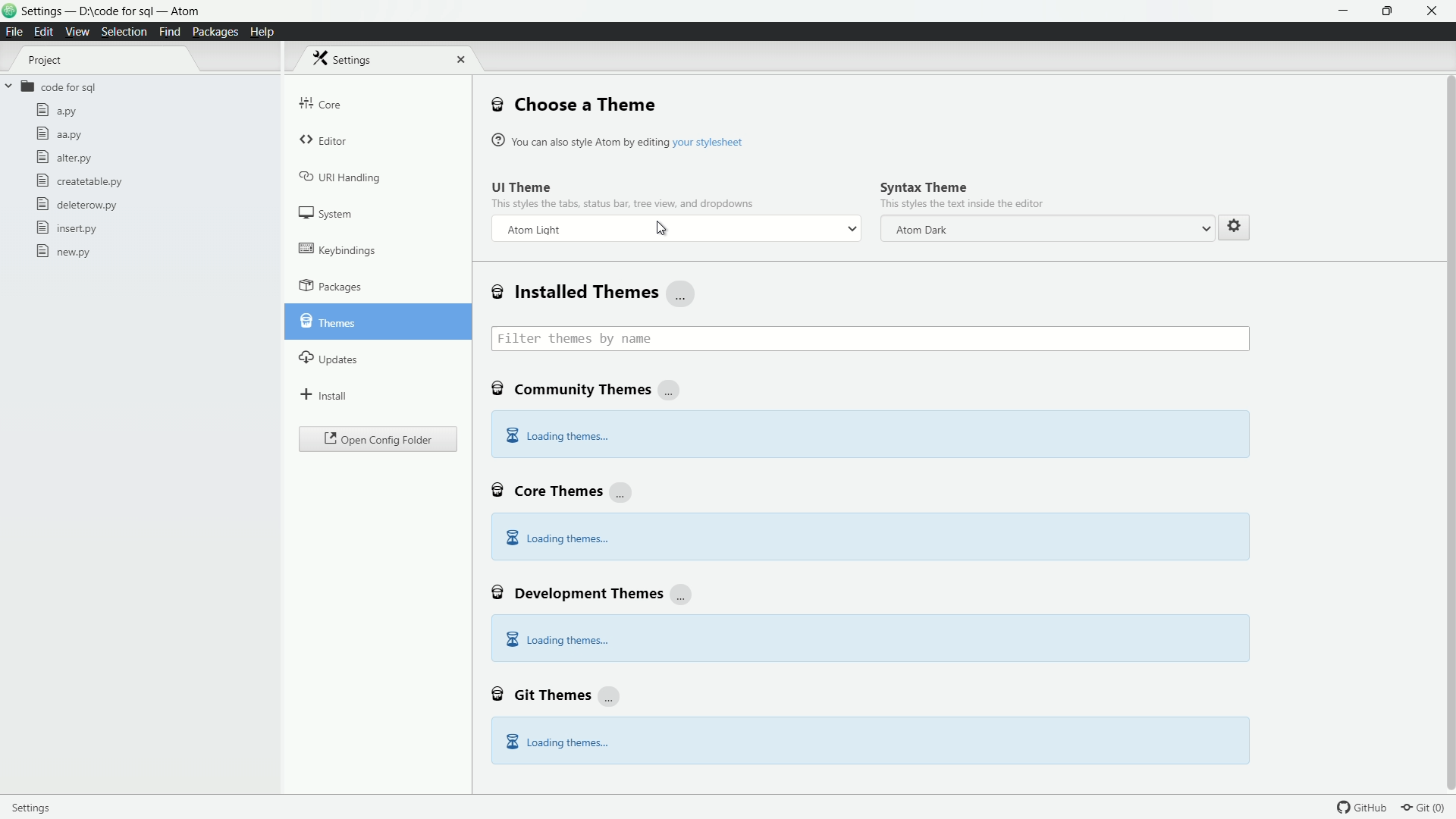  What do you see at coordinates (58, 136) in the screenshot?
I see `aa.py file` at bounding box center [58, 136].